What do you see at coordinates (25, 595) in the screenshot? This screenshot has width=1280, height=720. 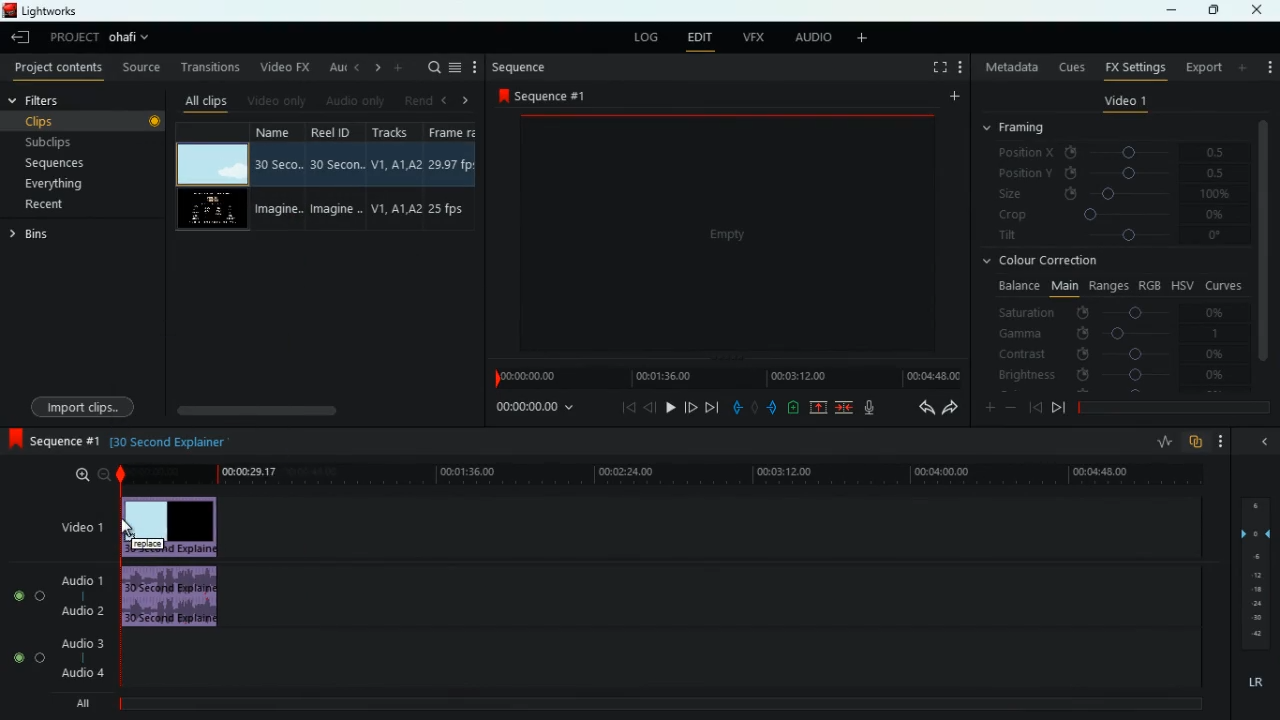 I see `Audio` at bounding box center [25, 595].